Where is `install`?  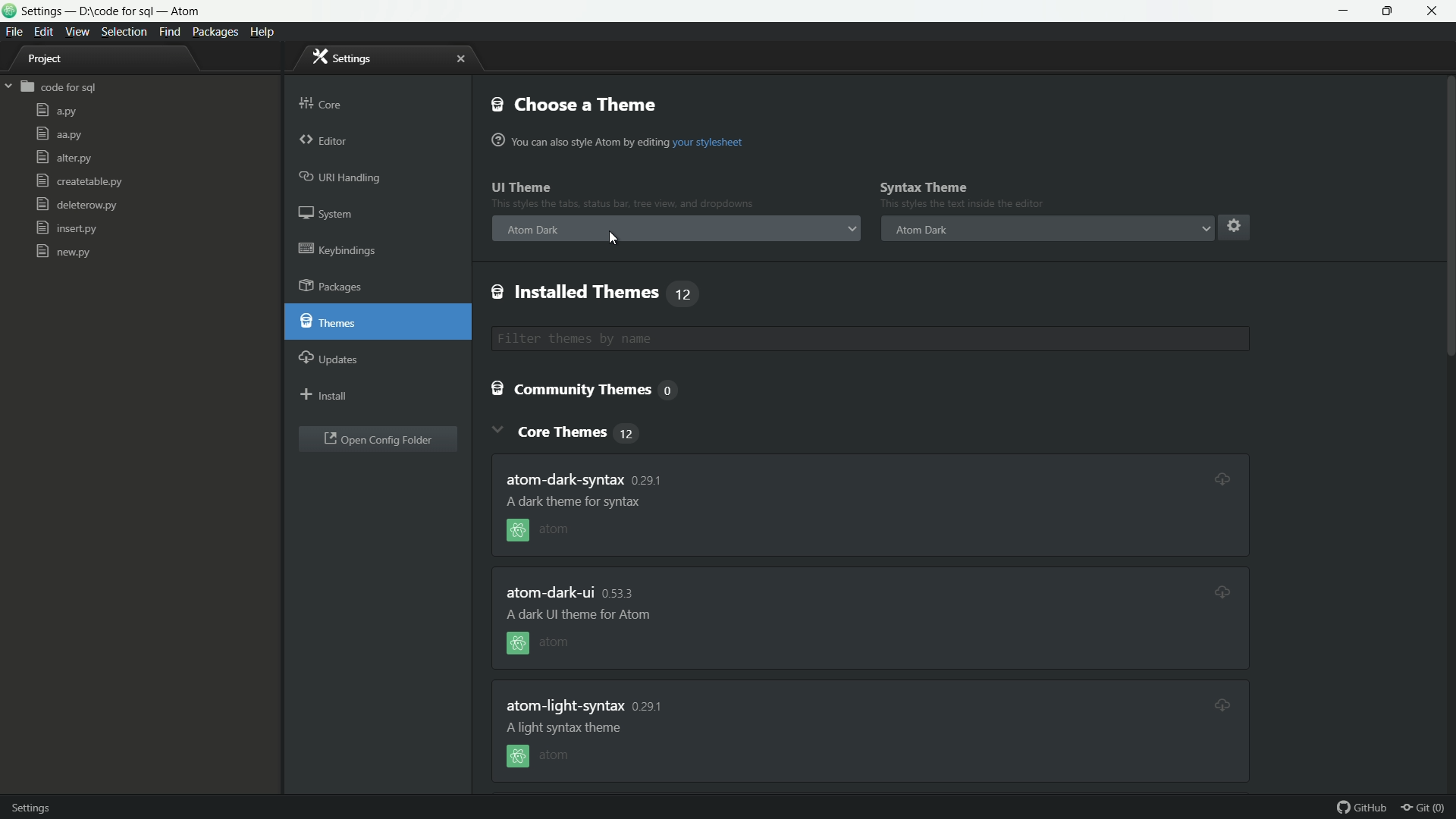
install is located at coordinates (325, 397).